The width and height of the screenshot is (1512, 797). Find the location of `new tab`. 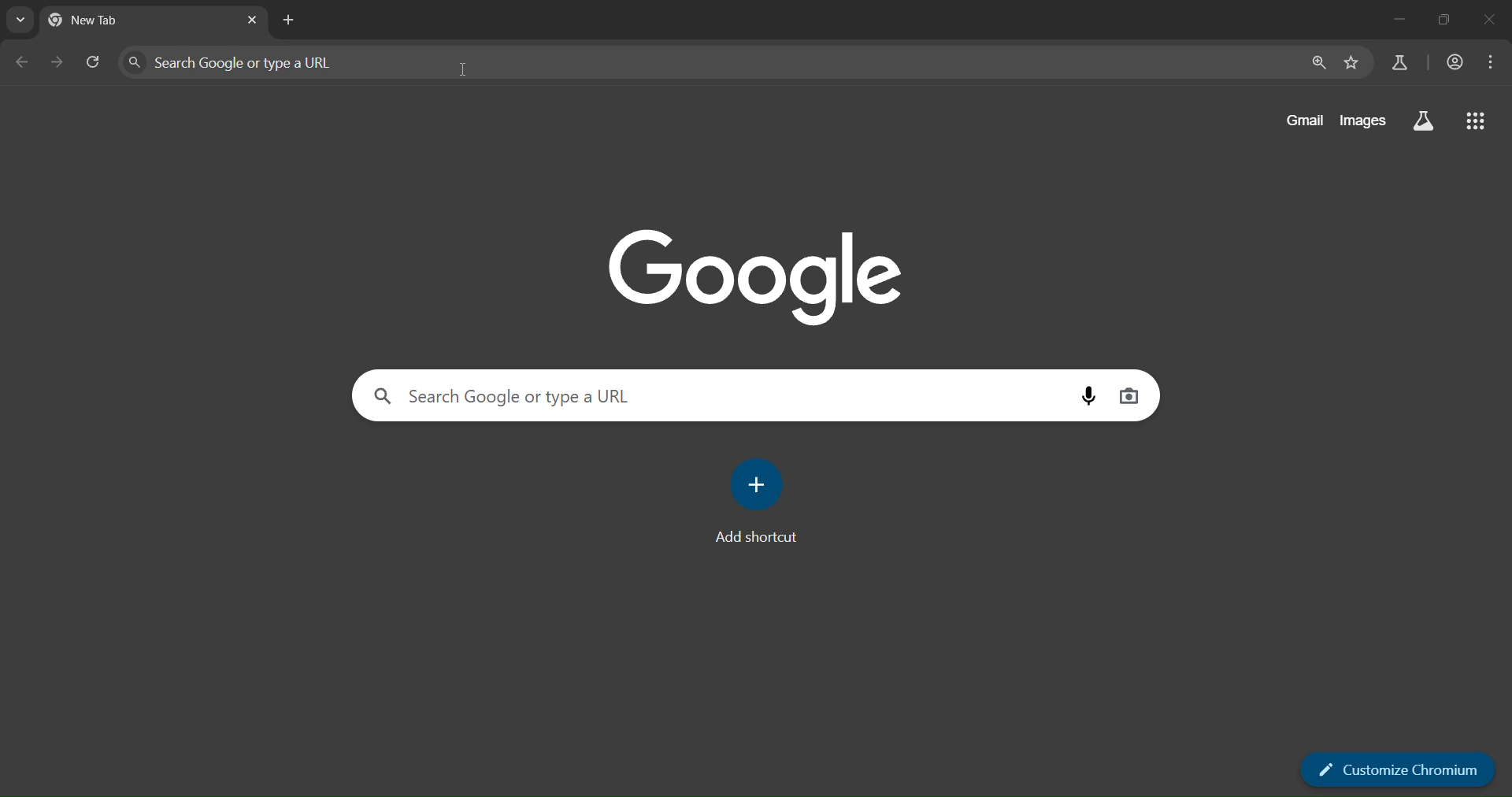

new tab is located at coordinates (292, 20).